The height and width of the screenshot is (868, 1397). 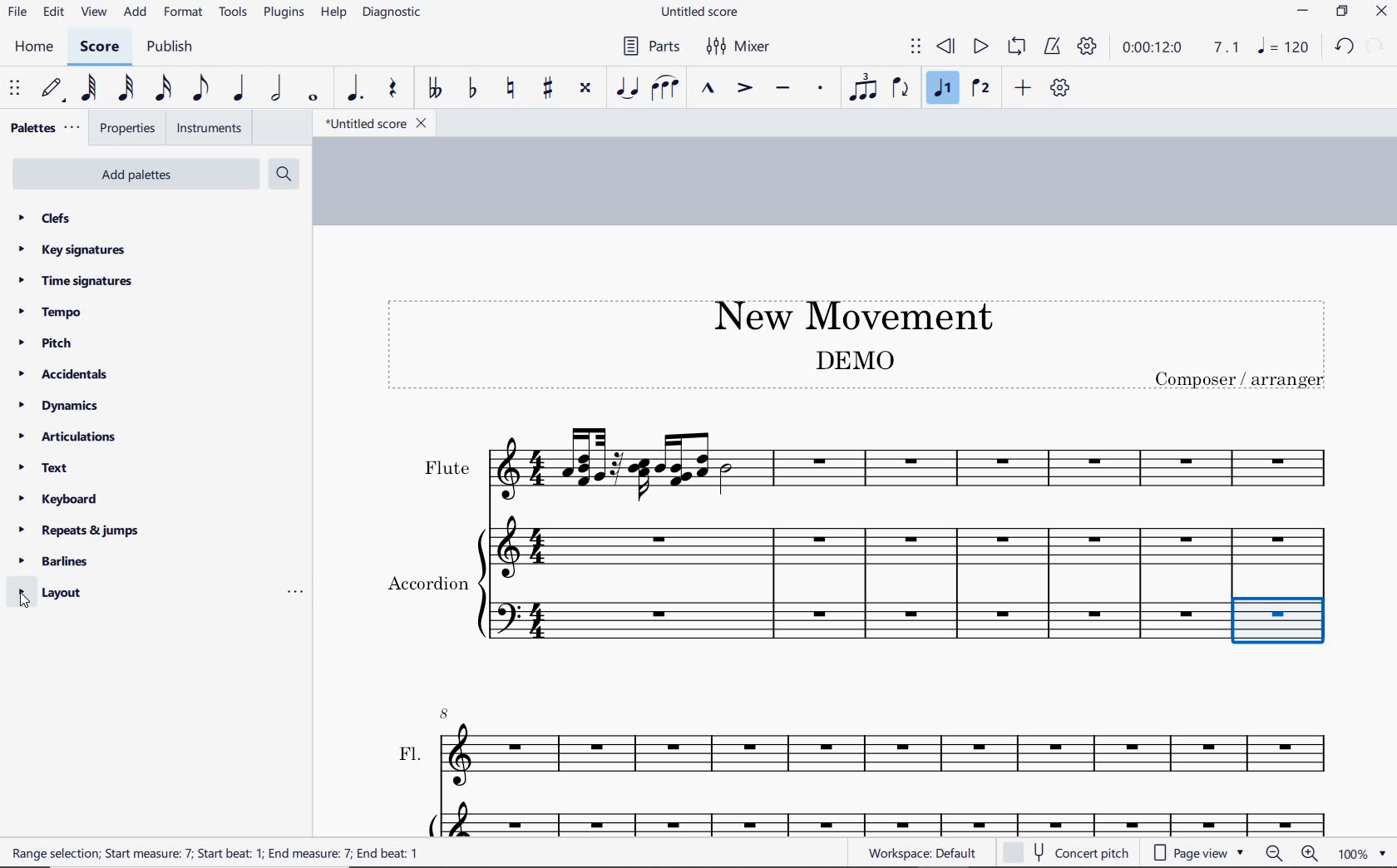 What do you see at coordinates (1061, 89) in the screenshot?
I see `customize toolbar` at bounding box center [1061, 89].